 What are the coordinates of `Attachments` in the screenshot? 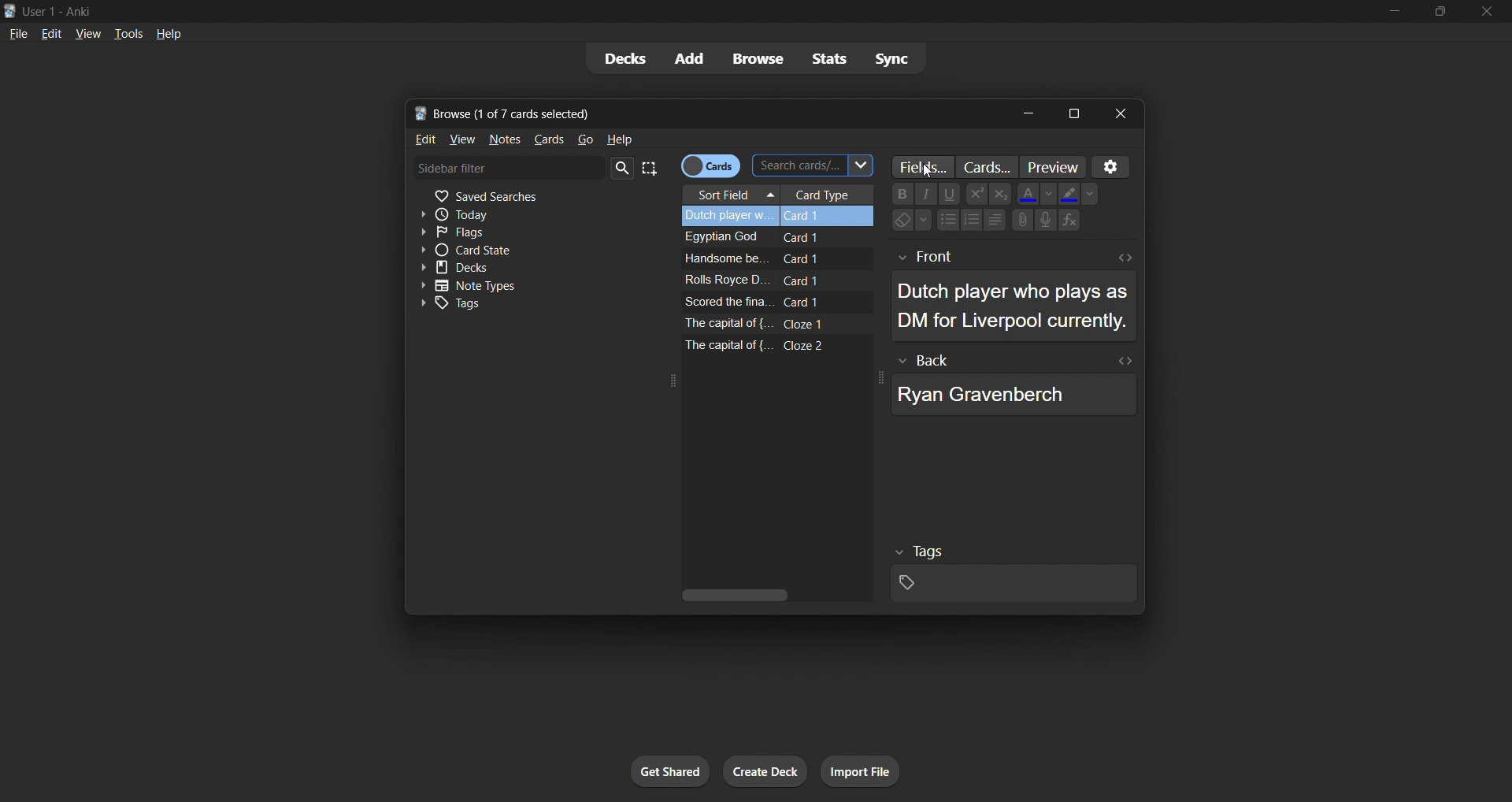 It's located at (1020, 223).